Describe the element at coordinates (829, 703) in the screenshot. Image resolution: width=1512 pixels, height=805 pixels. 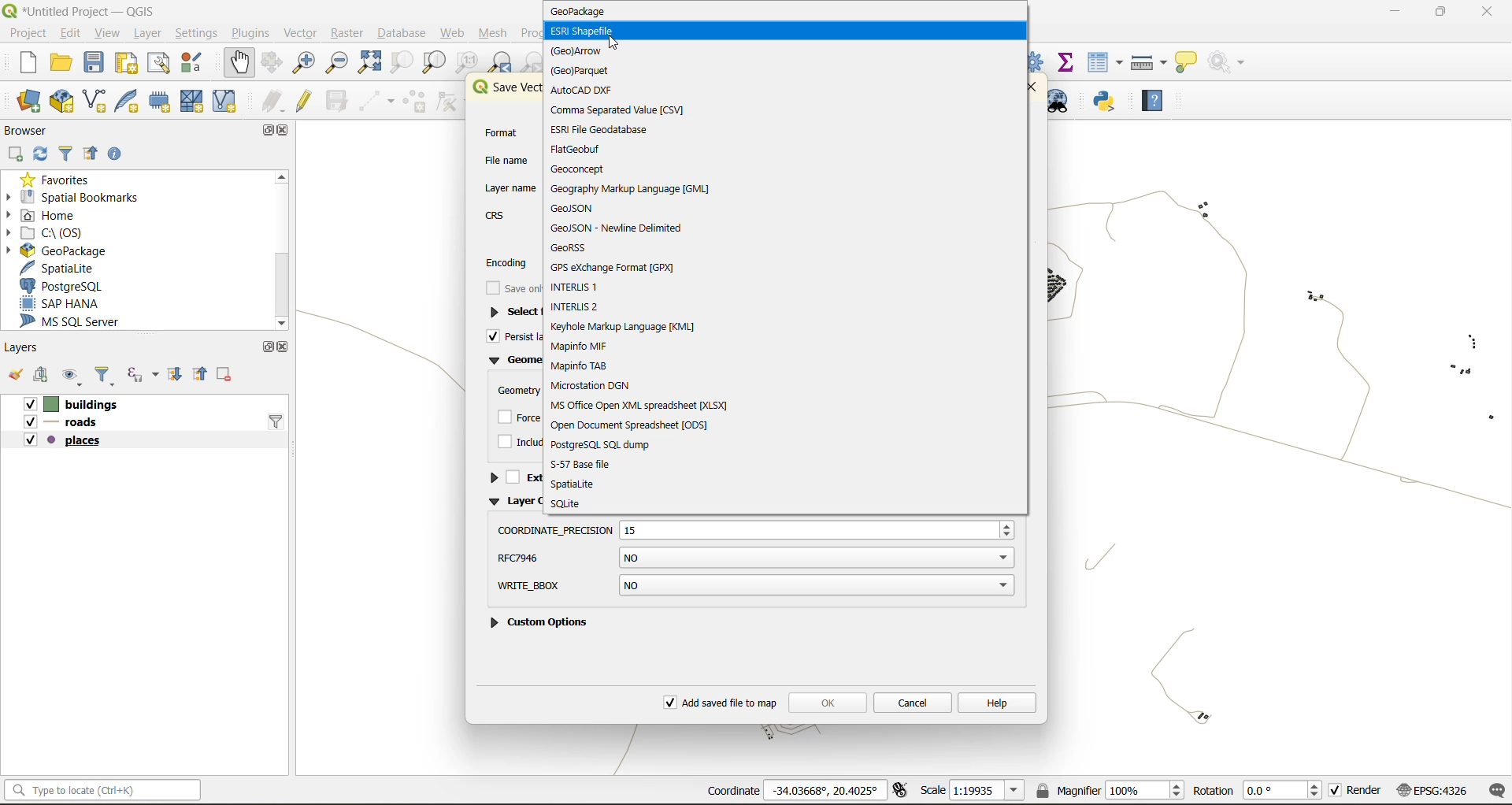
I see `ok` at that location.